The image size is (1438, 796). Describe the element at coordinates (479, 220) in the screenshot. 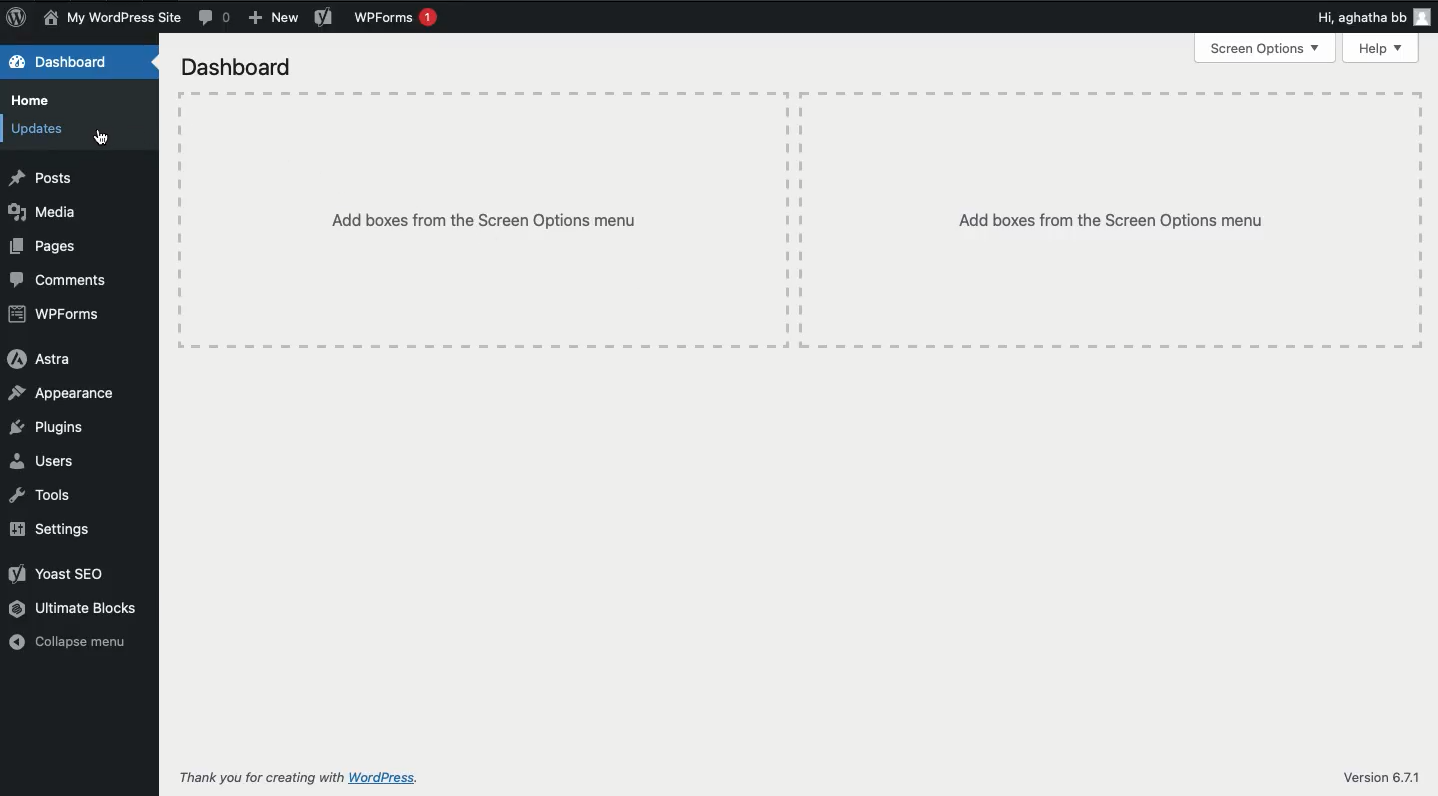

I see `Add boxes from the screen options menu` at that location.